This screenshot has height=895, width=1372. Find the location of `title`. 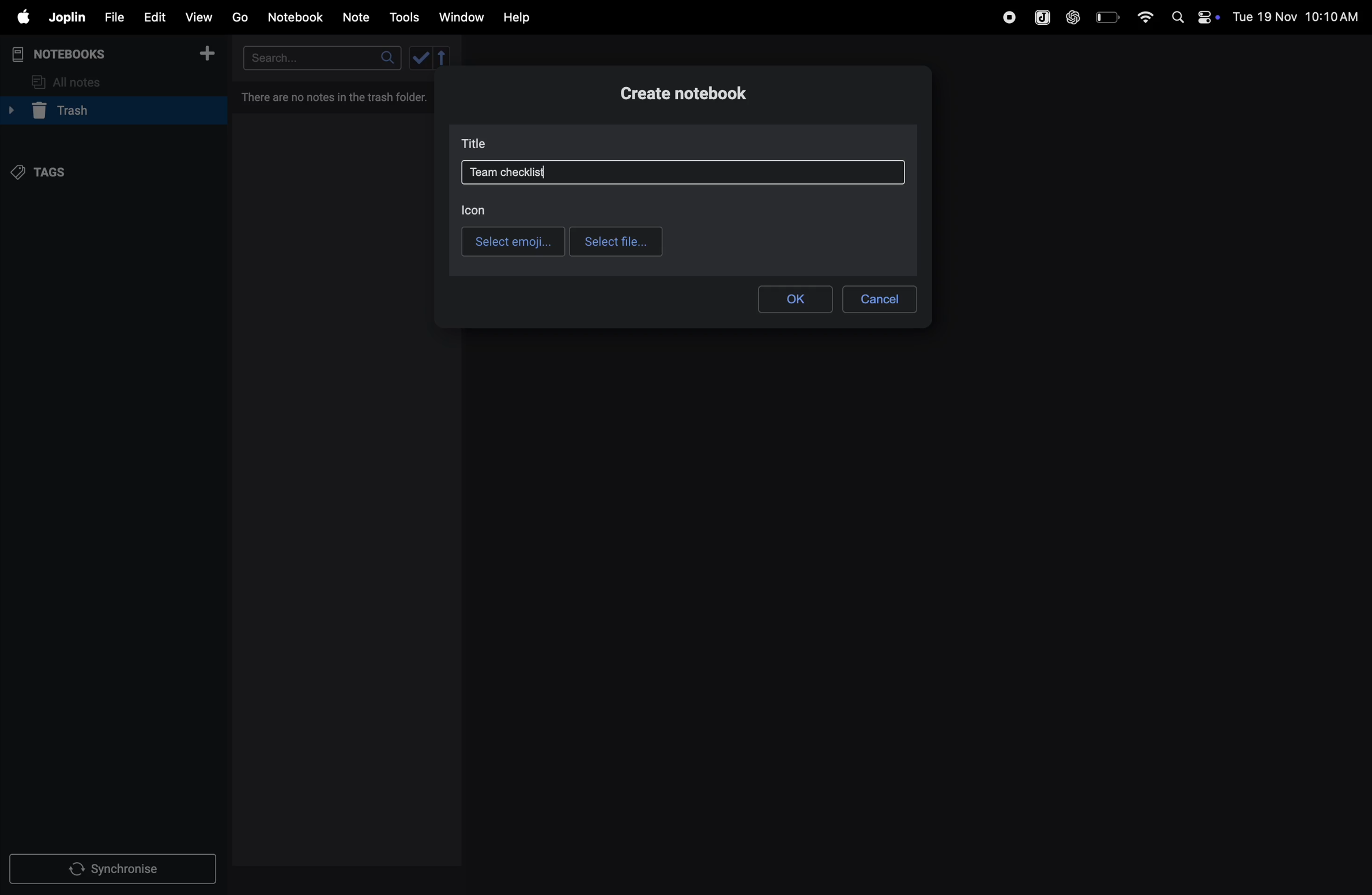

title is located at coordinates (476, 142).